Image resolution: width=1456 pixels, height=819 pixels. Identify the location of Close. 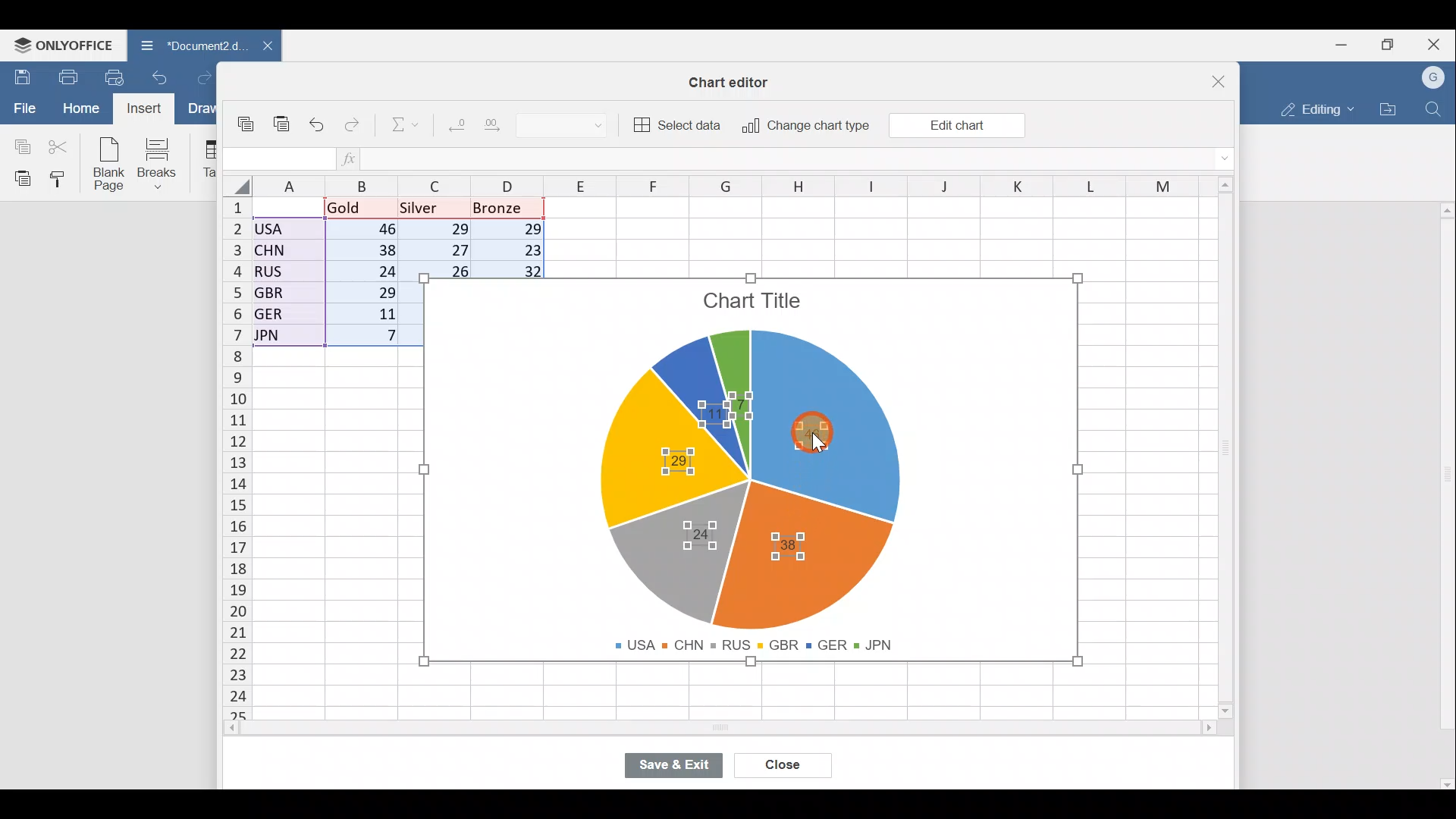
(1225, 80).